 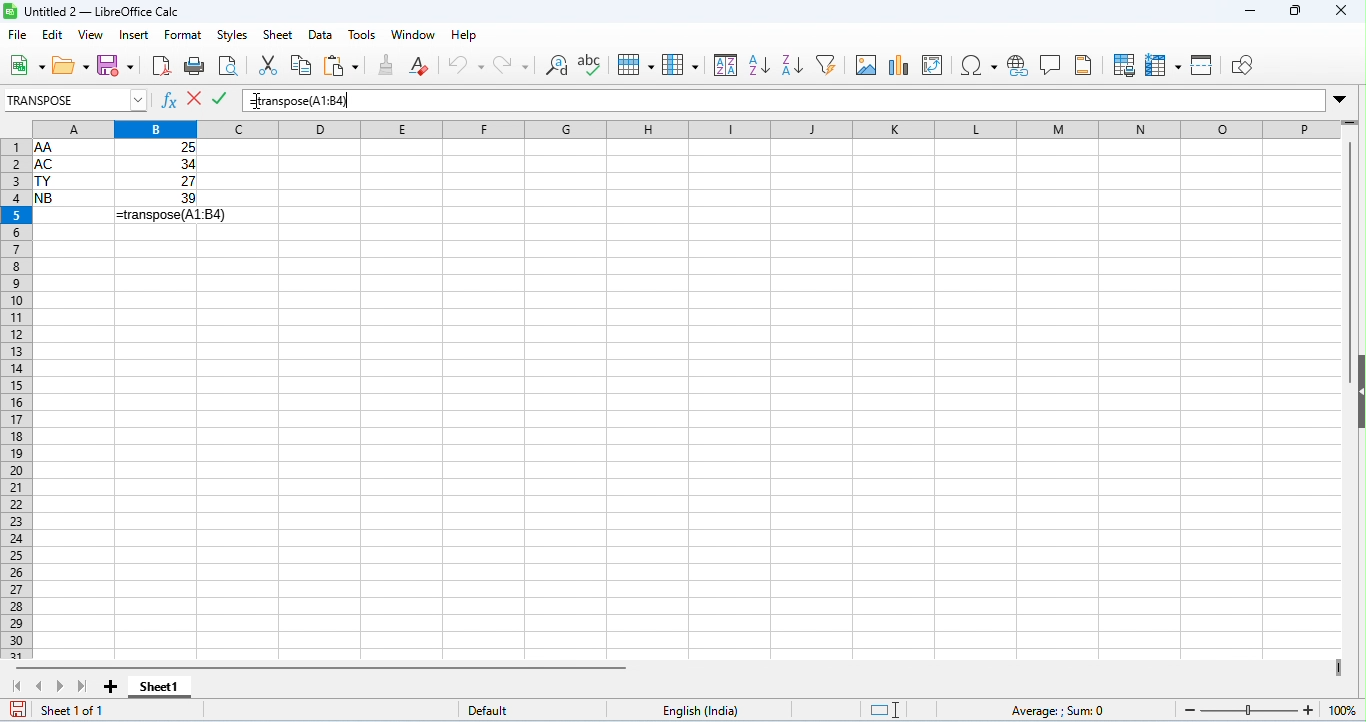 I want to click on title, so click(x=92, y=11).